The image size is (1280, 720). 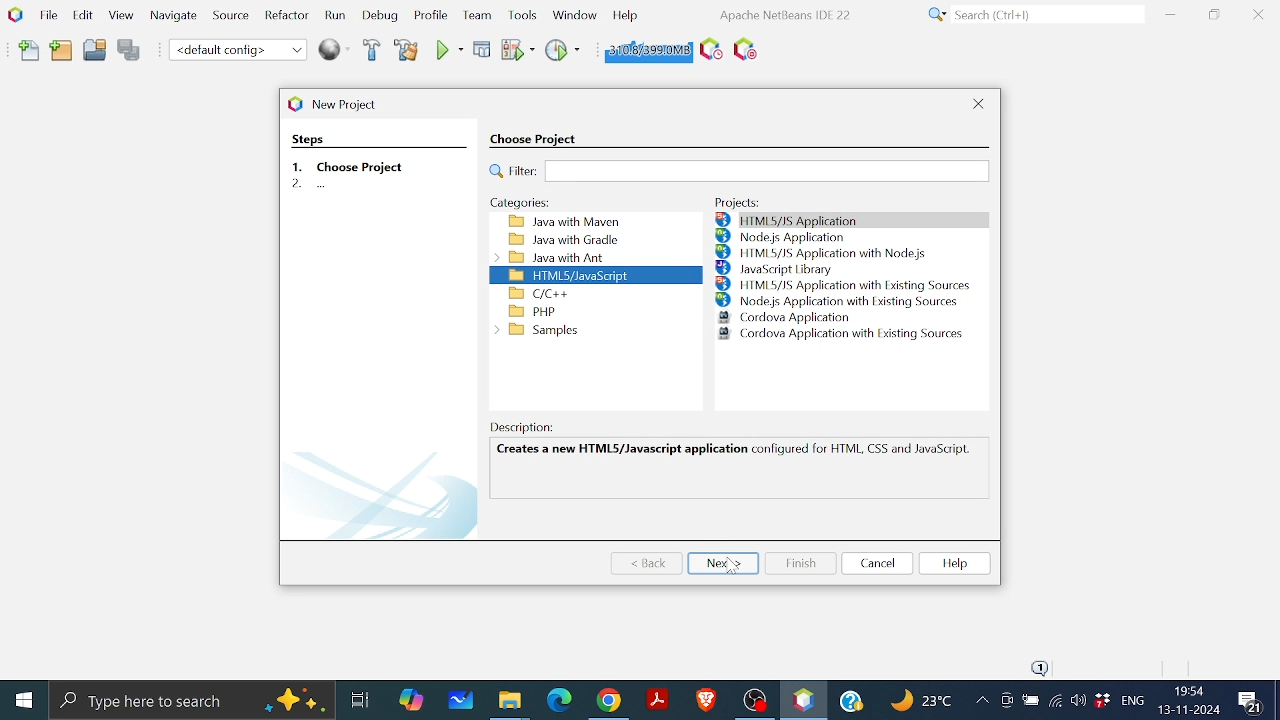 I want to click on HTML5/JS Application with Existing Sources, so click(x=847, y=284).